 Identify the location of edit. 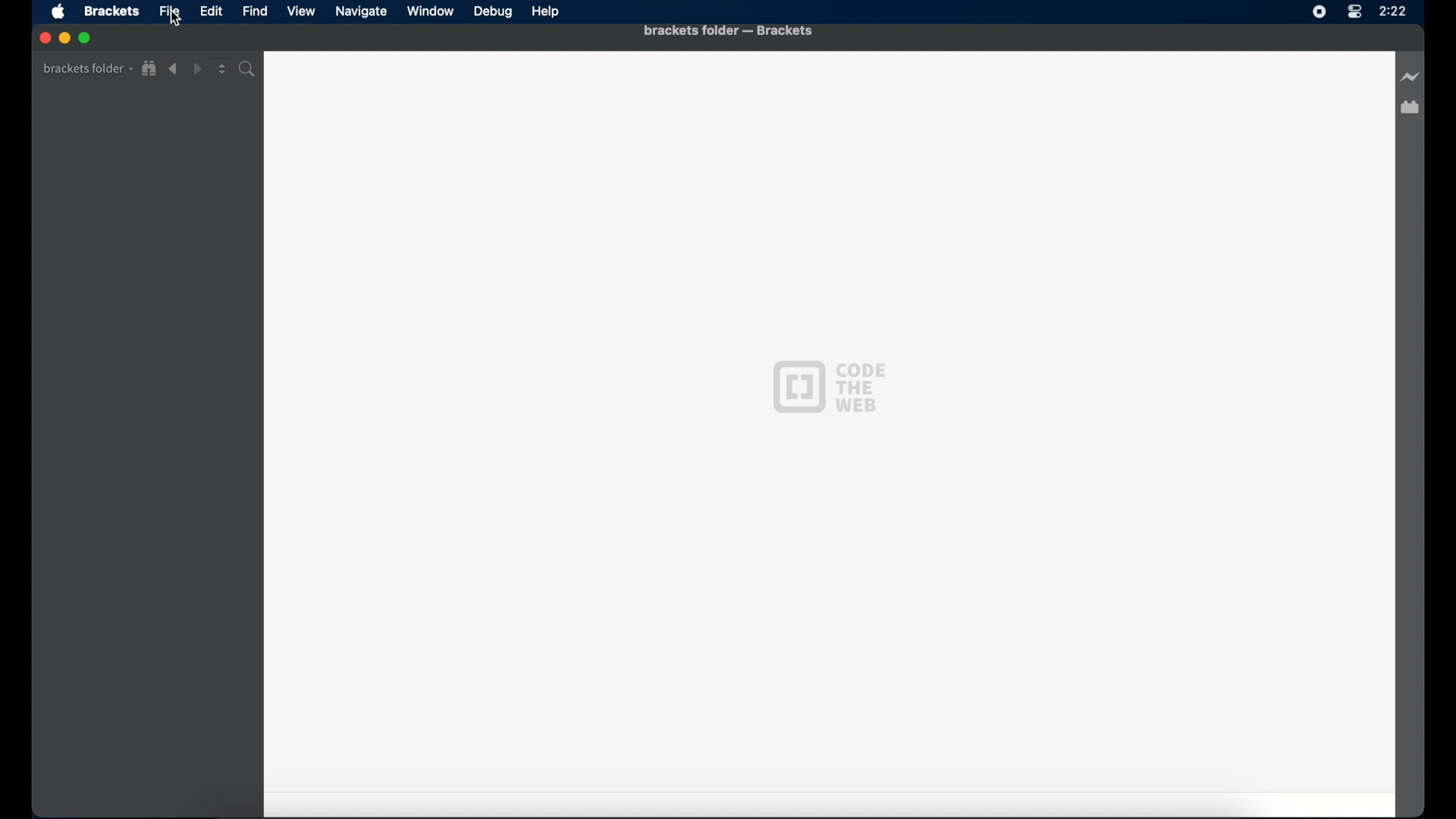
(211, 11).